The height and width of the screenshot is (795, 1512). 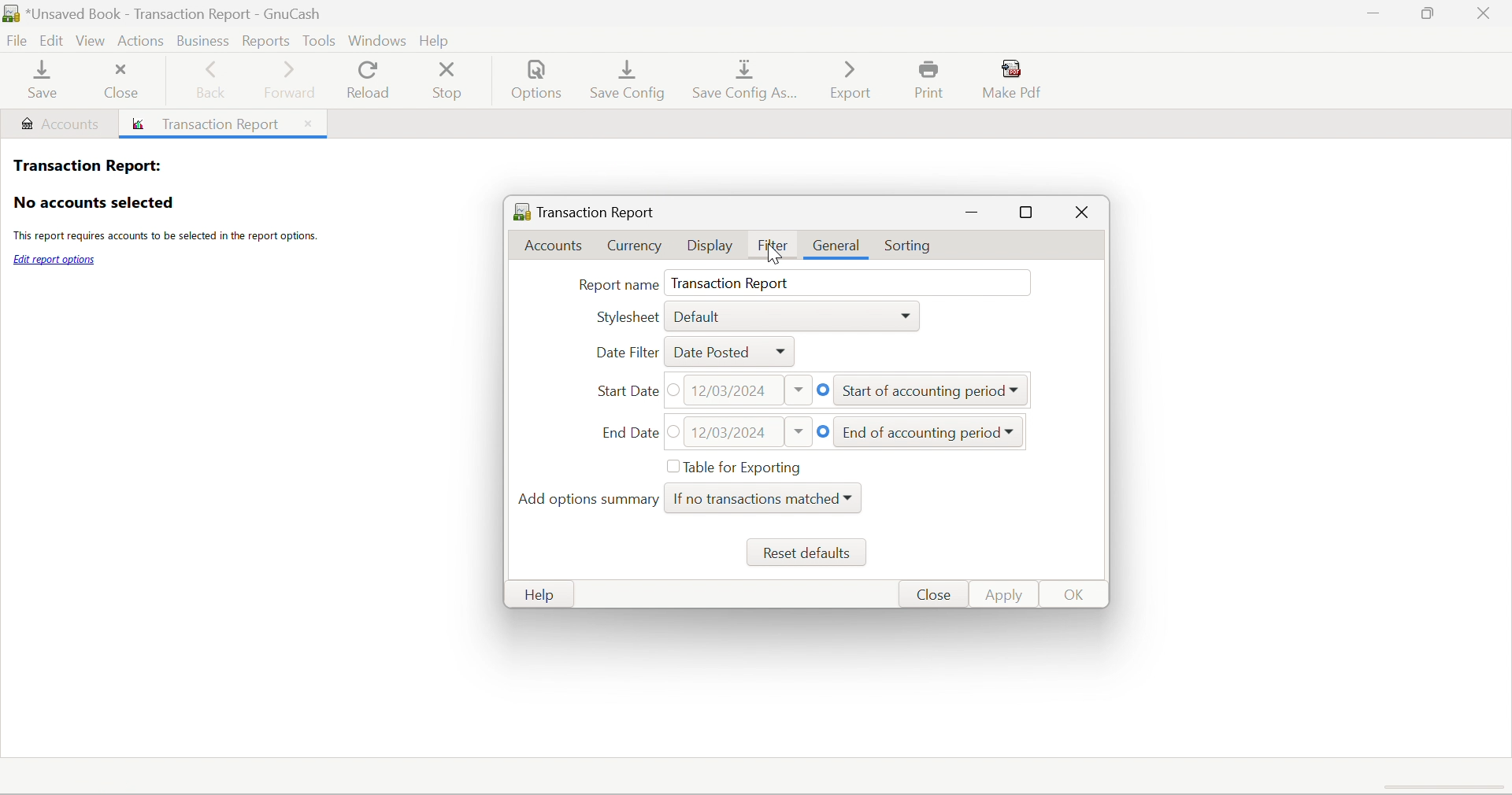 What do you see at coordinates (618, 285) in the screenshot?
I see `Report name` at bounding box center [618, 285].